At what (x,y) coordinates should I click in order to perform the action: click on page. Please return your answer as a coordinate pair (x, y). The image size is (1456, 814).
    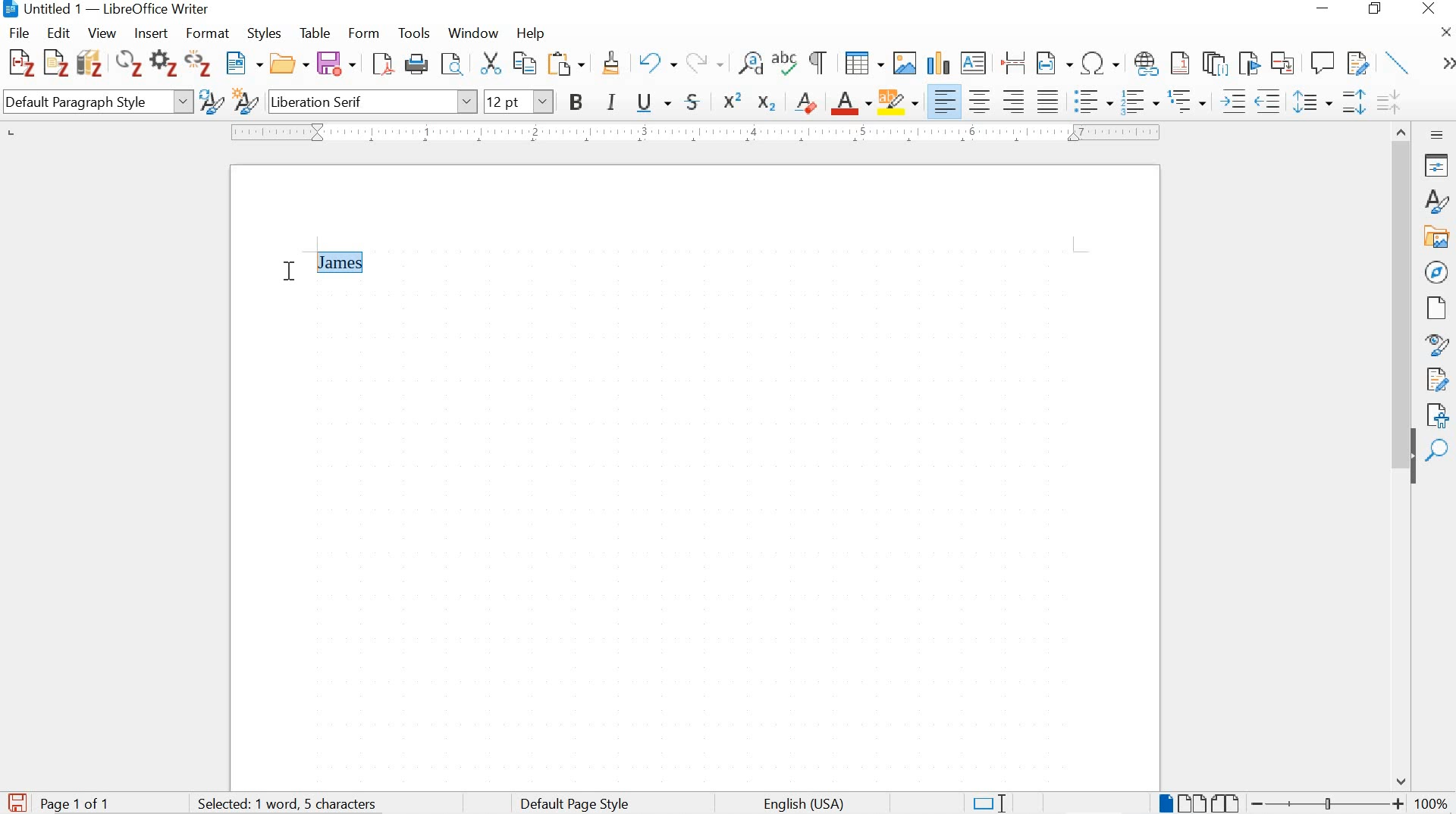
    Looking at the image, I should click on (1434, 308).